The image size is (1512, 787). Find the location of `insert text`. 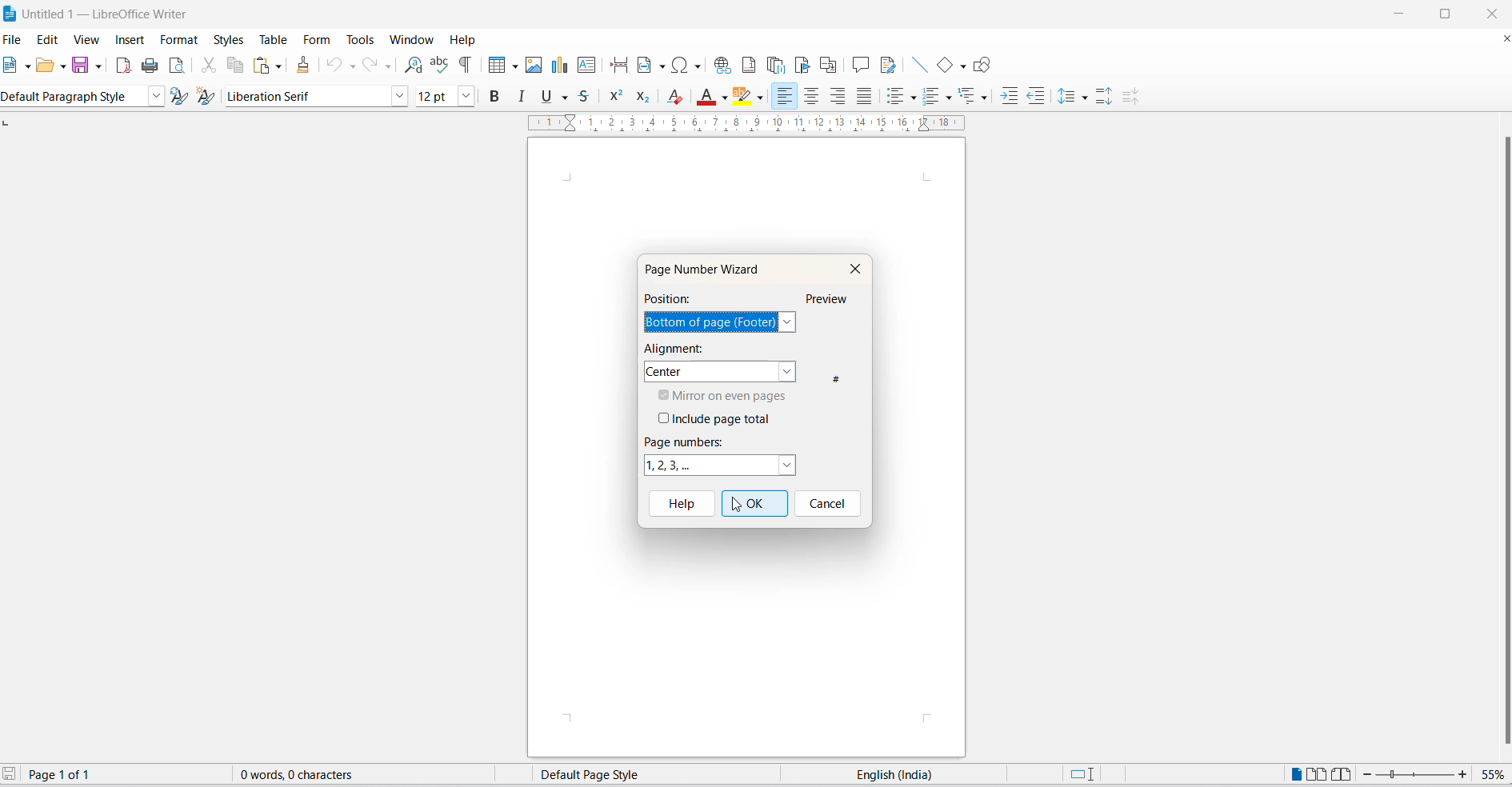

insert text is located at coordinates (588, 65).